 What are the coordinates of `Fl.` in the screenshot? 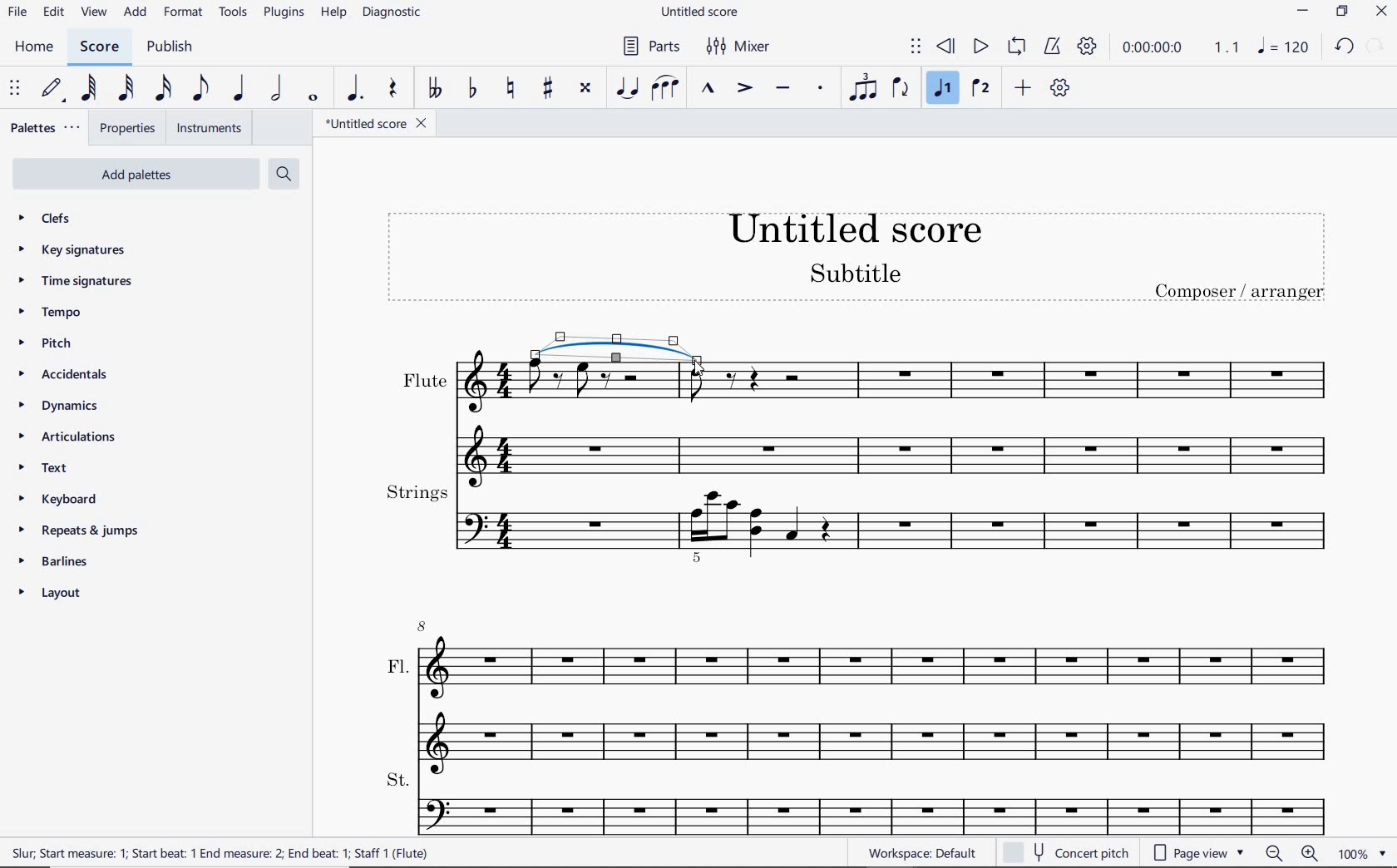 It's located at (861, 691).